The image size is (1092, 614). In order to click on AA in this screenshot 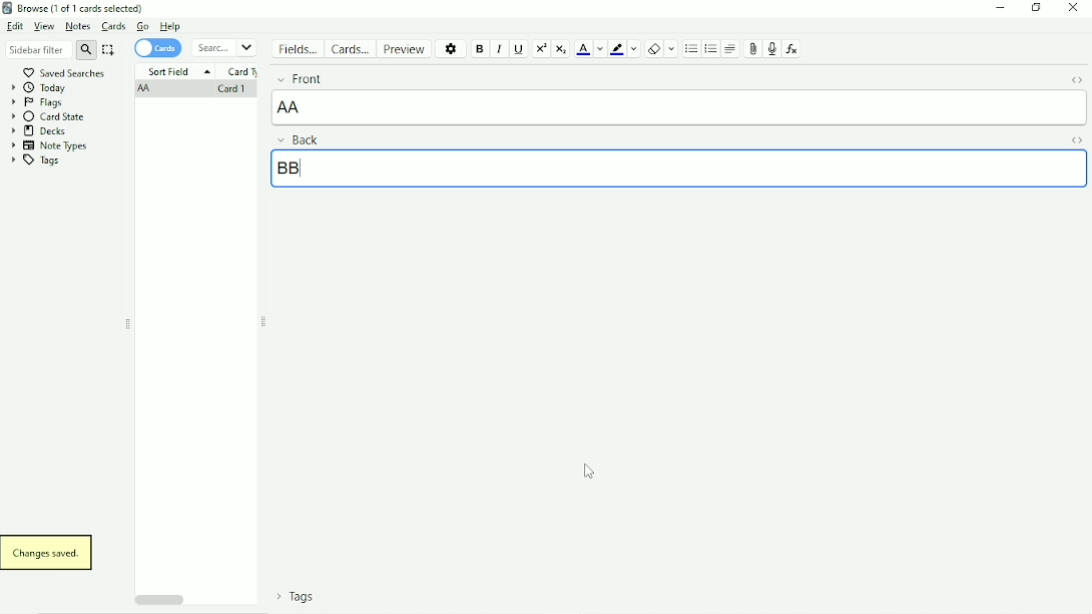, I will do `click(146, 90)`.